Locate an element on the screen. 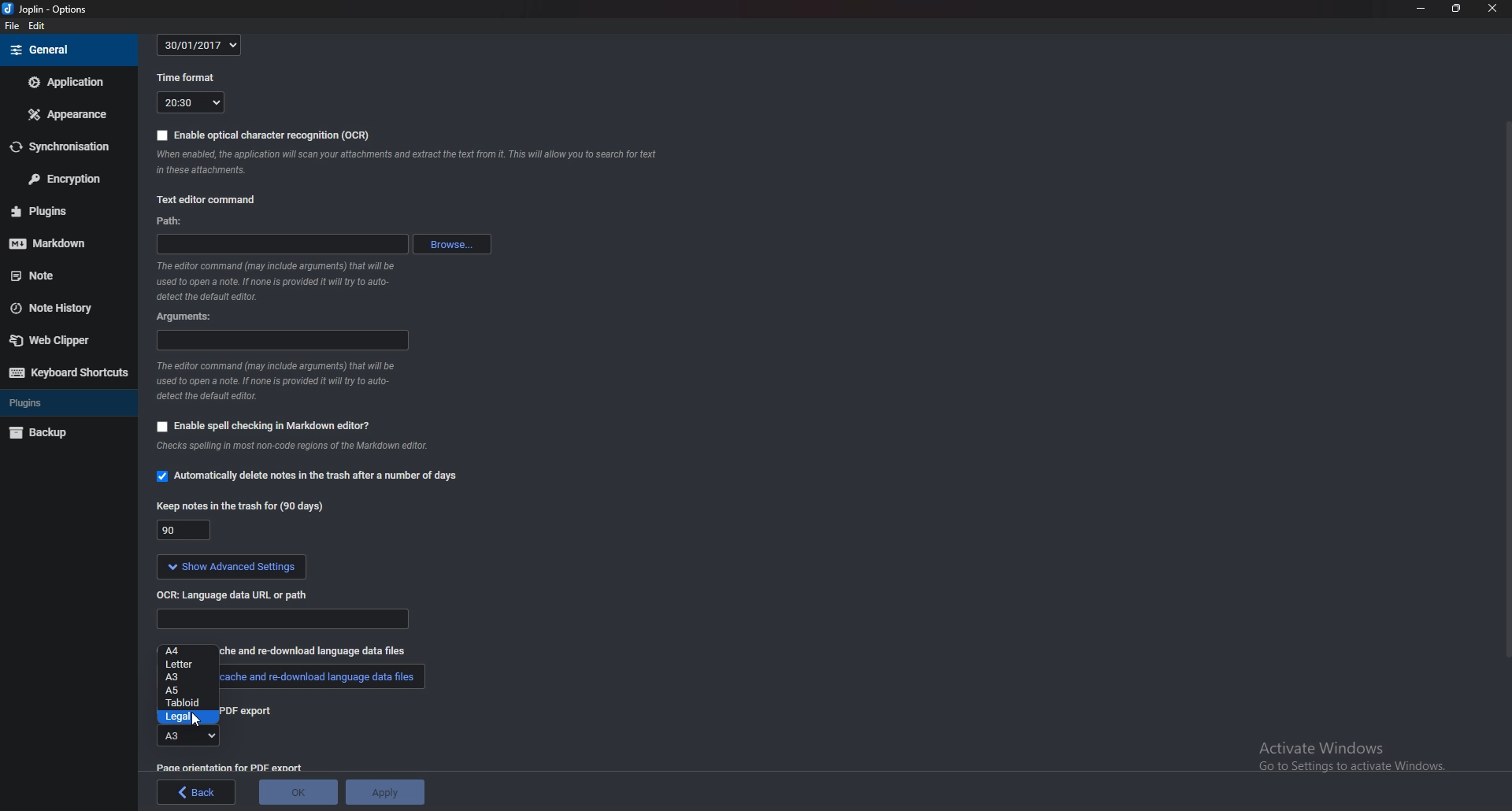  Cursor is located at coordinates (197, 720).